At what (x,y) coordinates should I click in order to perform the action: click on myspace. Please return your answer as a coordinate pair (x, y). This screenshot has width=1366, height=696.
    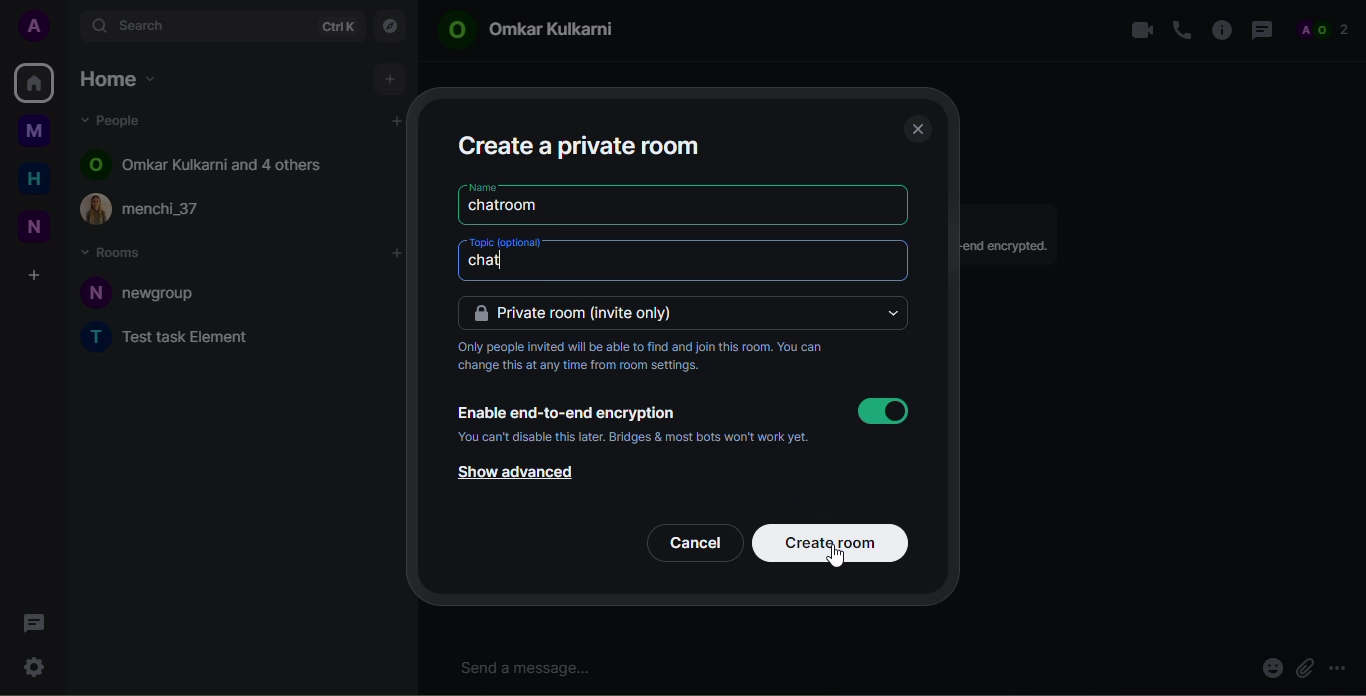
    Looking at the image, I should click on (34, 130).